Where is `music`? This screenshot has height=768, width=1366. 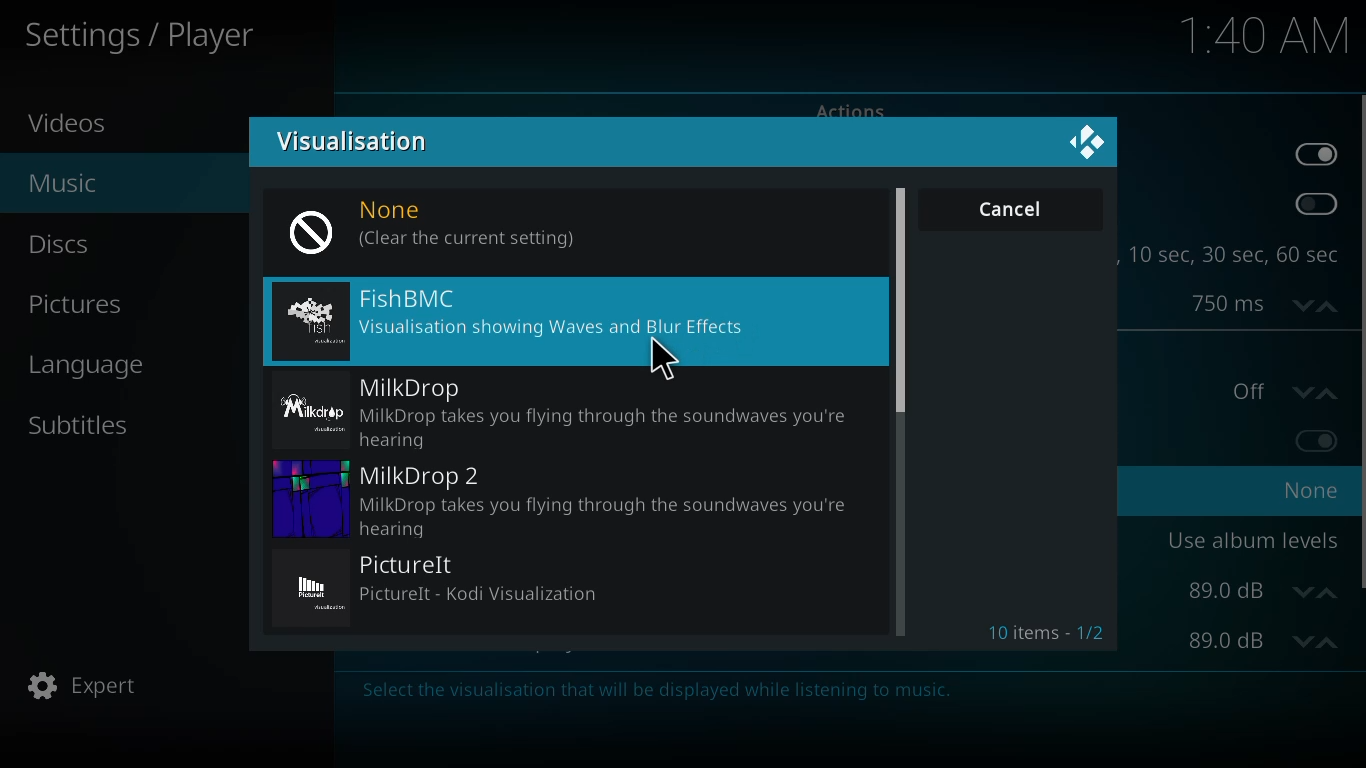
music is located at coordinates (61, 180).